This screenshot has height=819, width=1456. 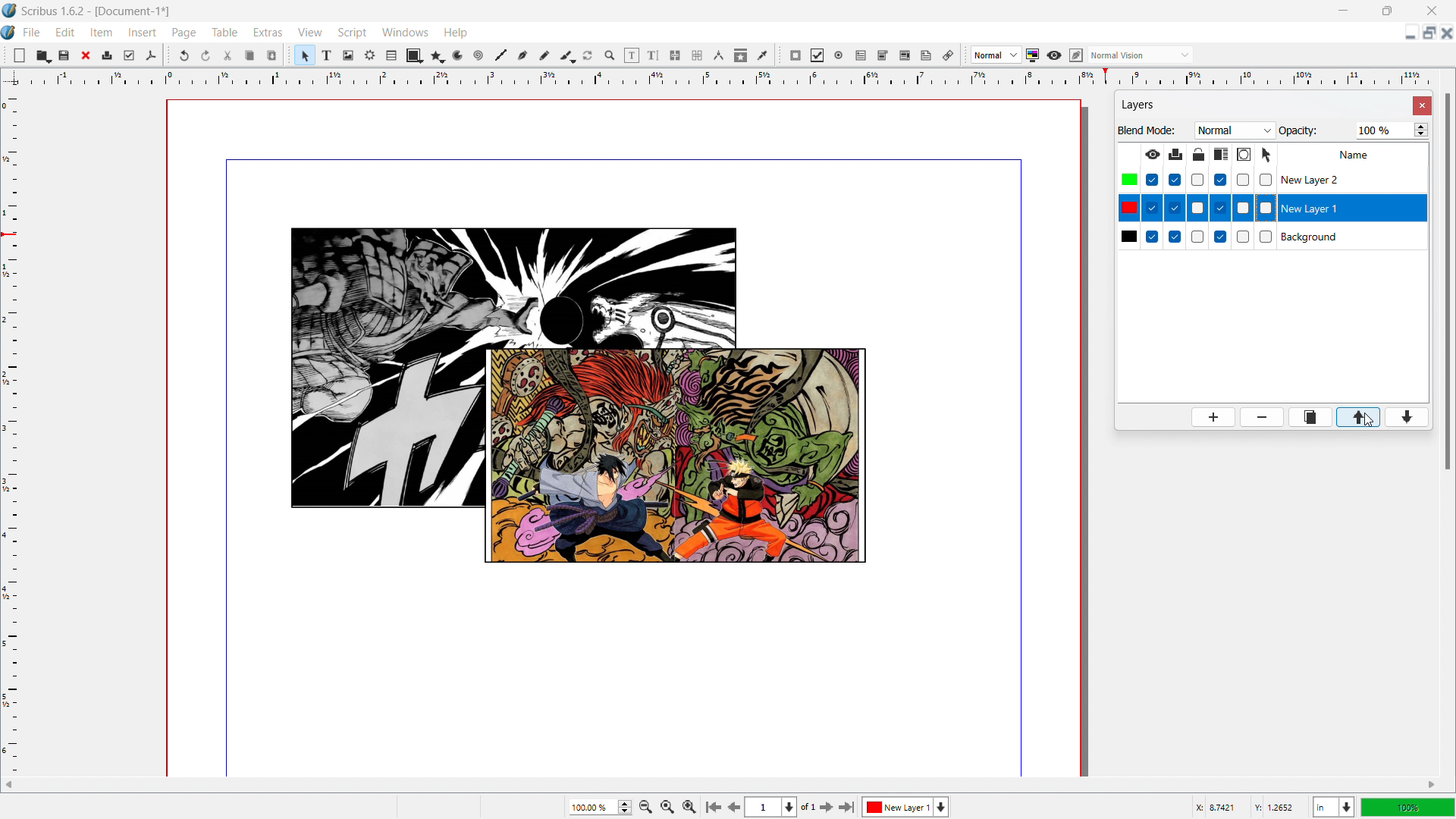 I want to click on Zoom out by the stepping value selected in settings, so click(x=689, y=805).